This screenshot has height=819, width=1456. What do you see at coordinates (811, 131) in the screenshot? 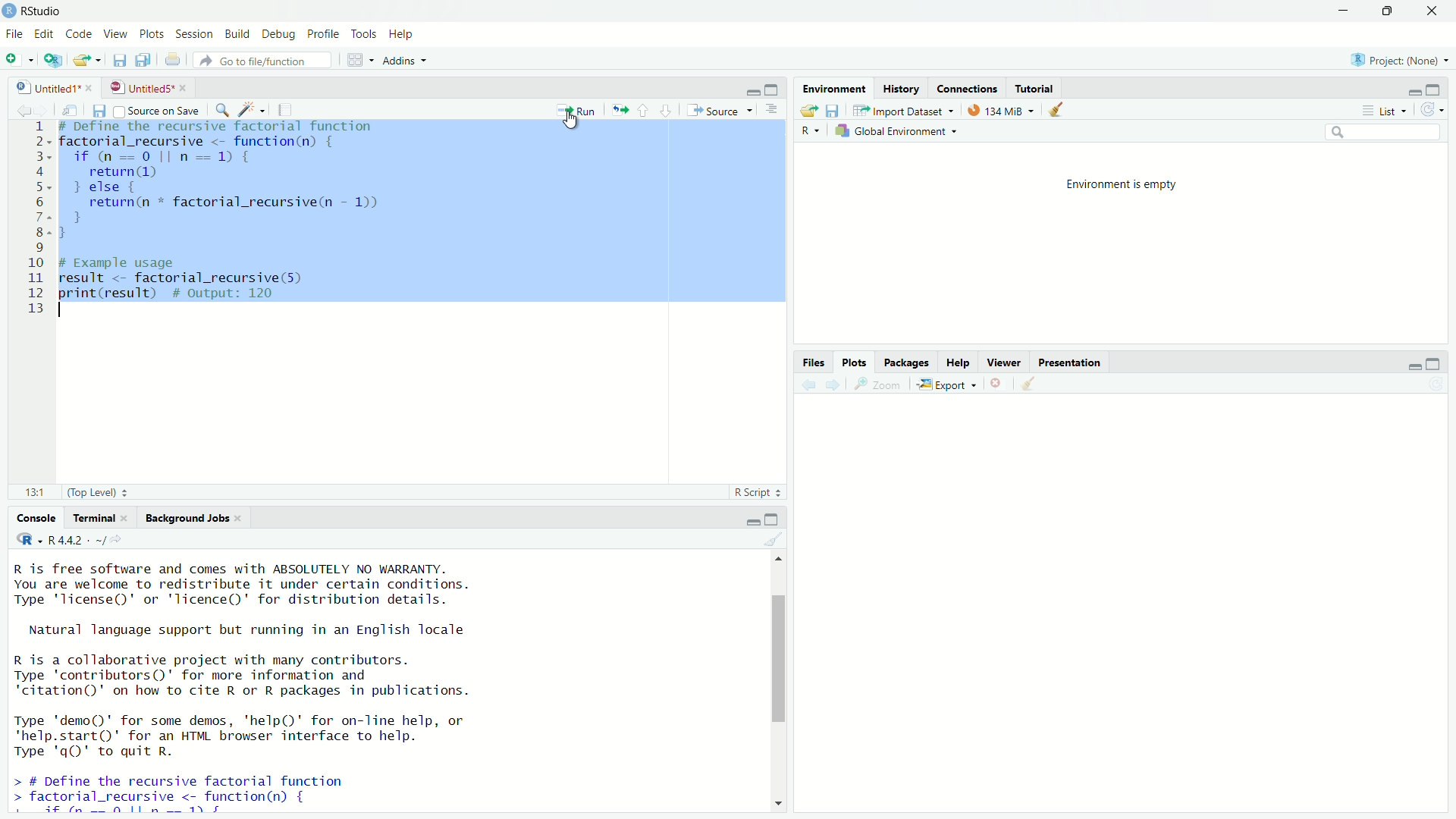
I see `R` at bounding box center [811, 131].